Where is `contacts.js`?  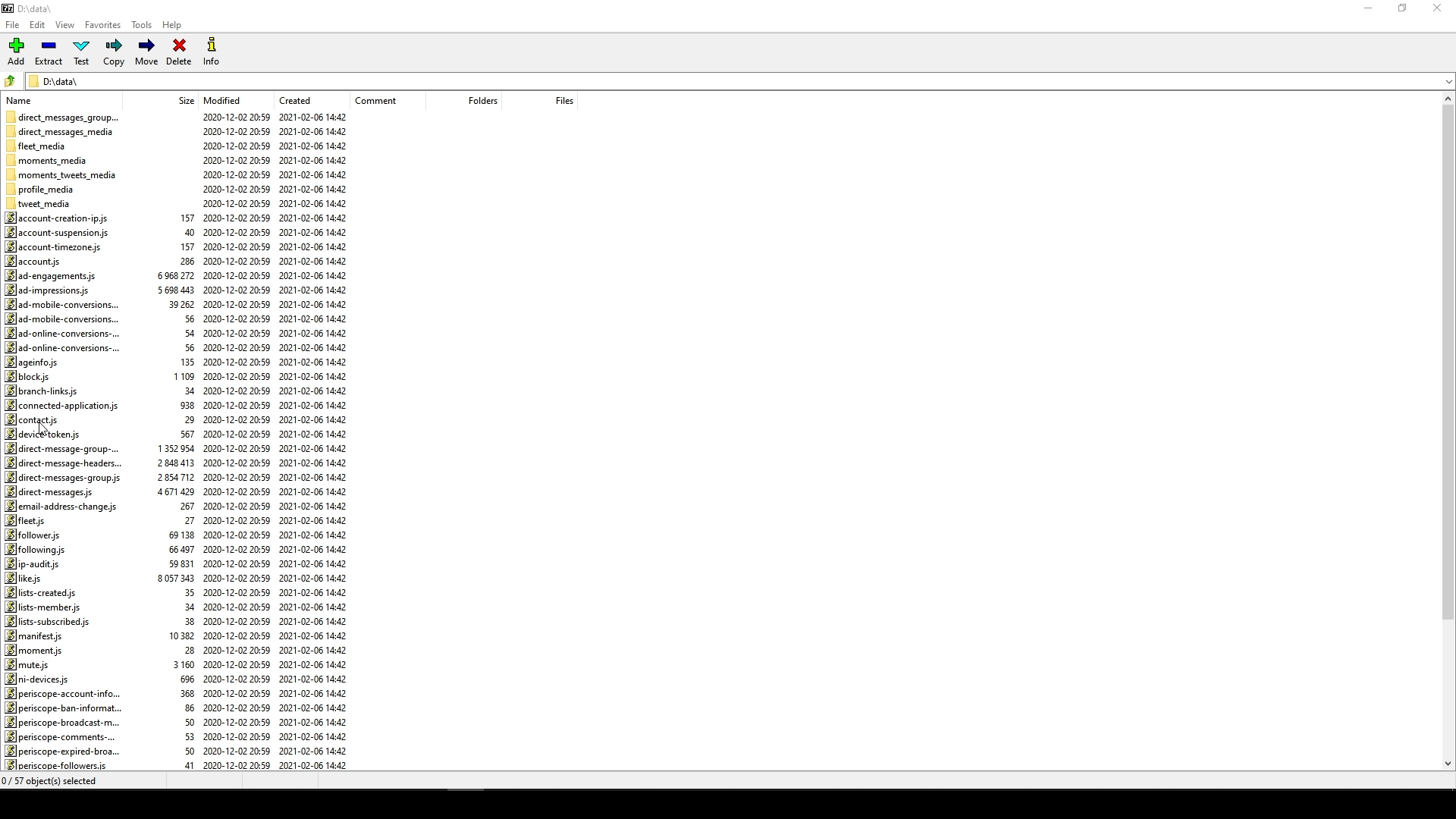 contacts.js is located at coordinates (37, 419).